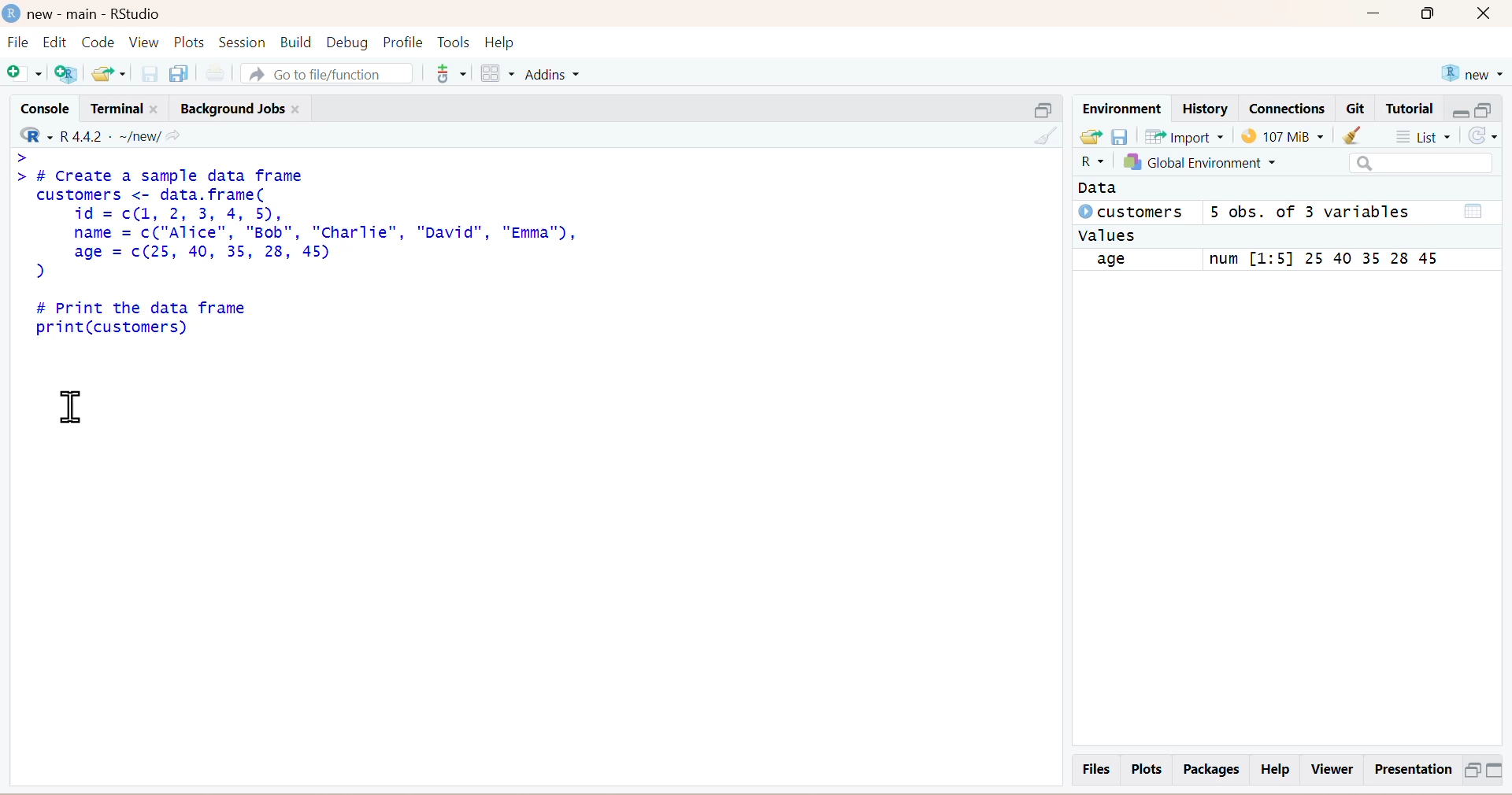 Image resolution: width=1512 pixels, height=795 pixels. I want to click on Addins ~, so click(554, 75).